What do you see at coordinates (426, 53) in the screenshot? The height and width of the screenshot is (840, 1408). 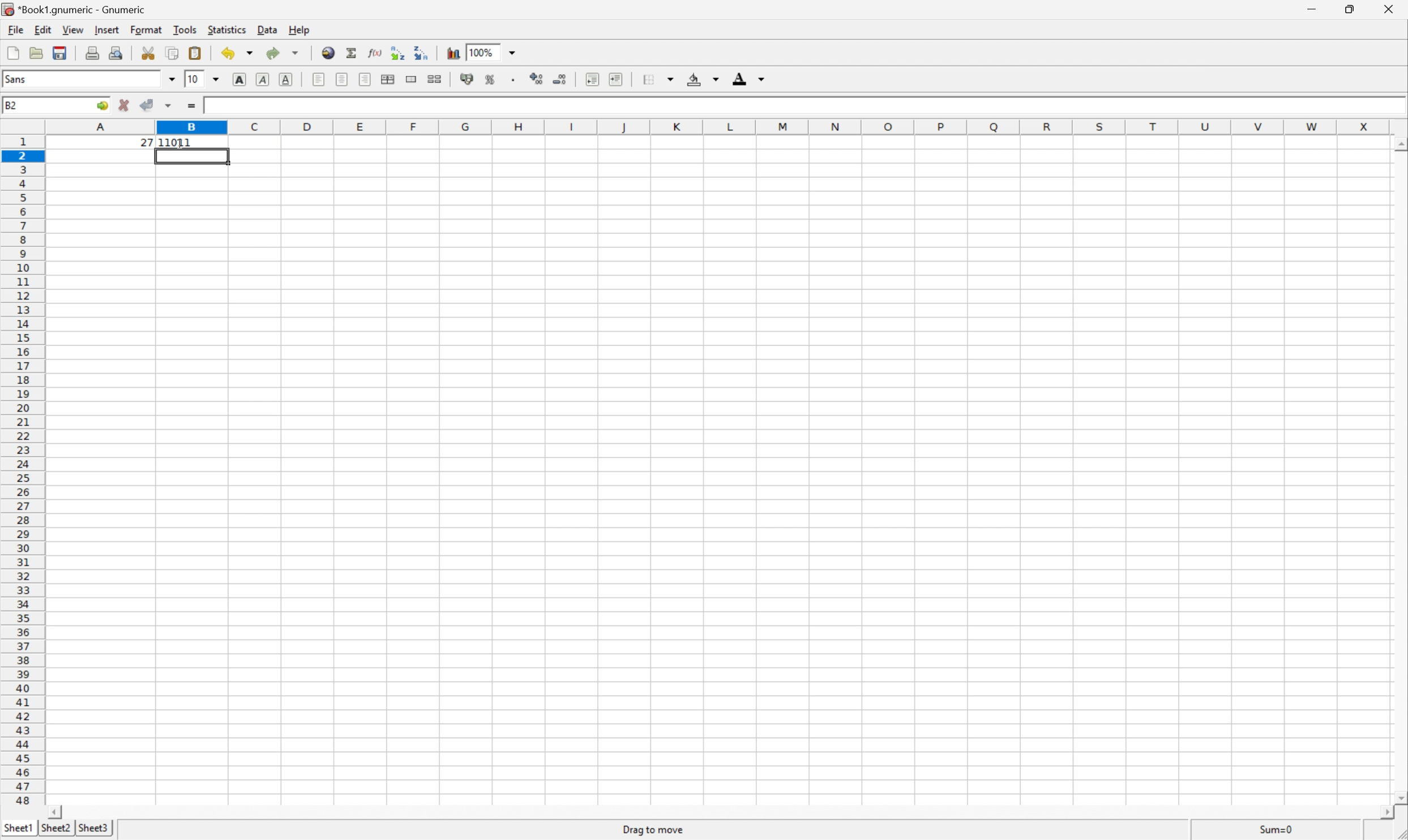 I see `Sort the selected region in descending order based on the first column selected` at bounding box center [426, 53].